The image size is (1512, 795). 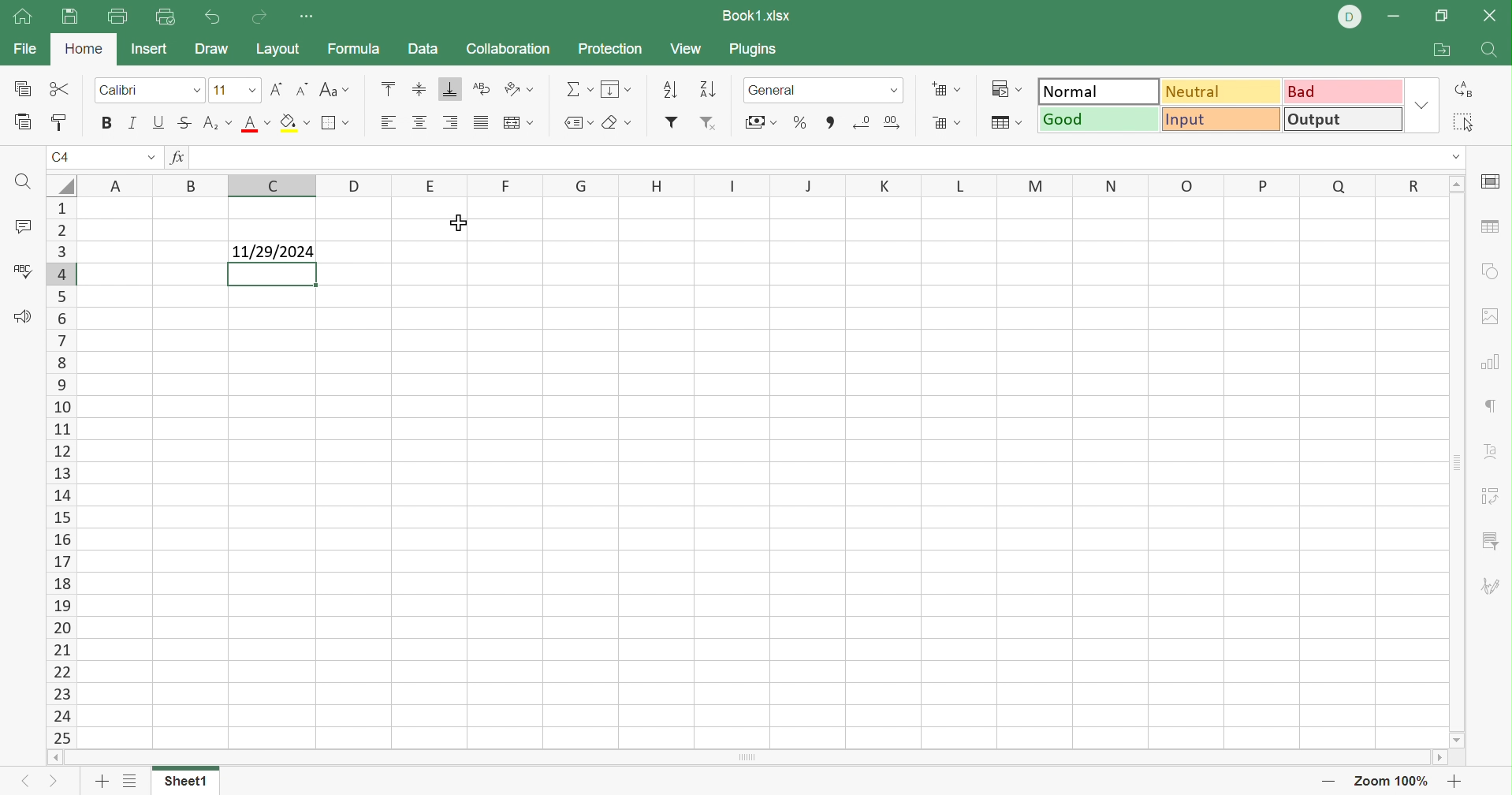 I want to click on Delete cells, so click(x=949, y=124).